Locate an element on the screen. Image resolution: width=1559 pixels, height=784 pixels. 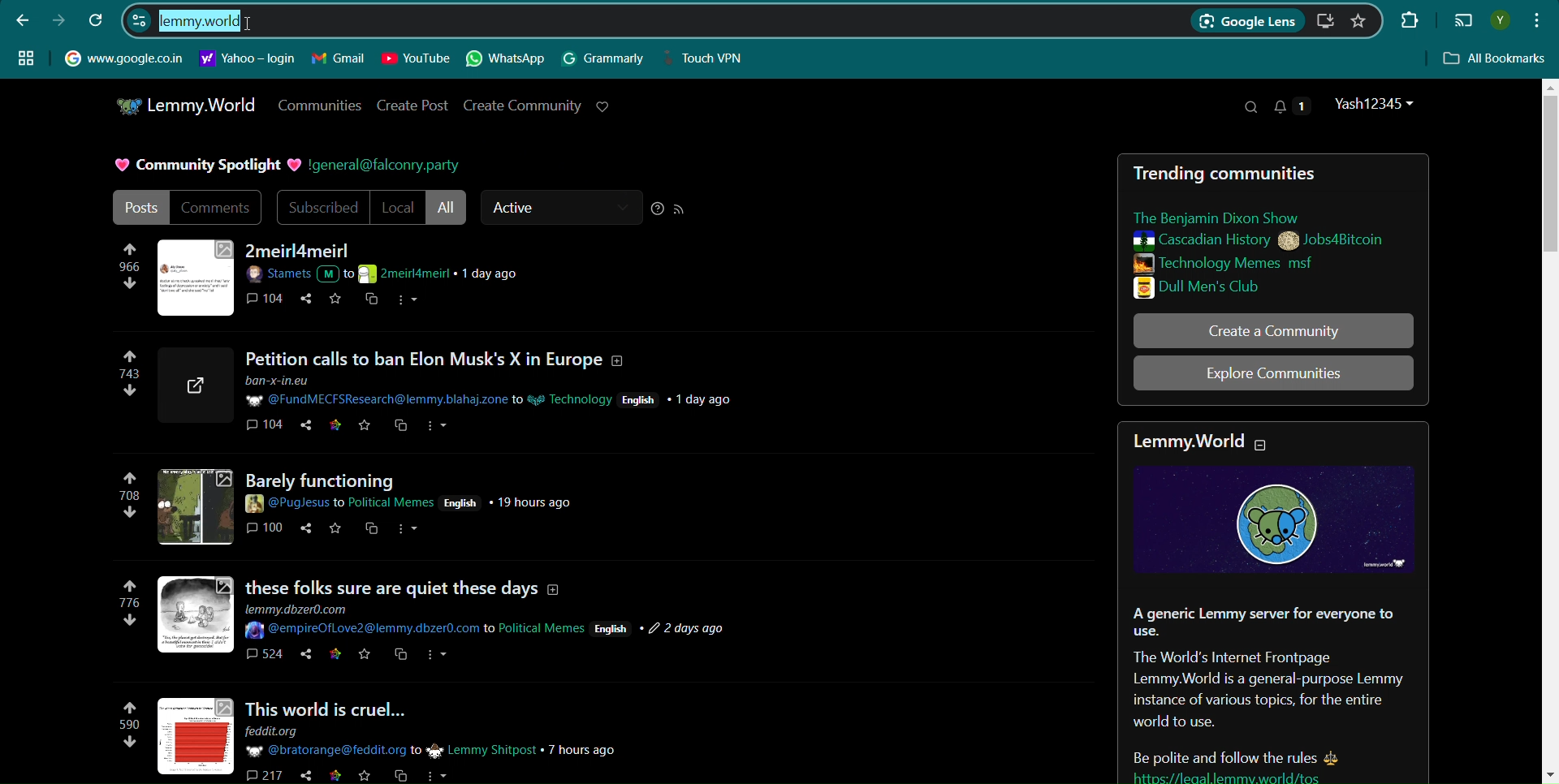
image is located at coordinates (193, 506).